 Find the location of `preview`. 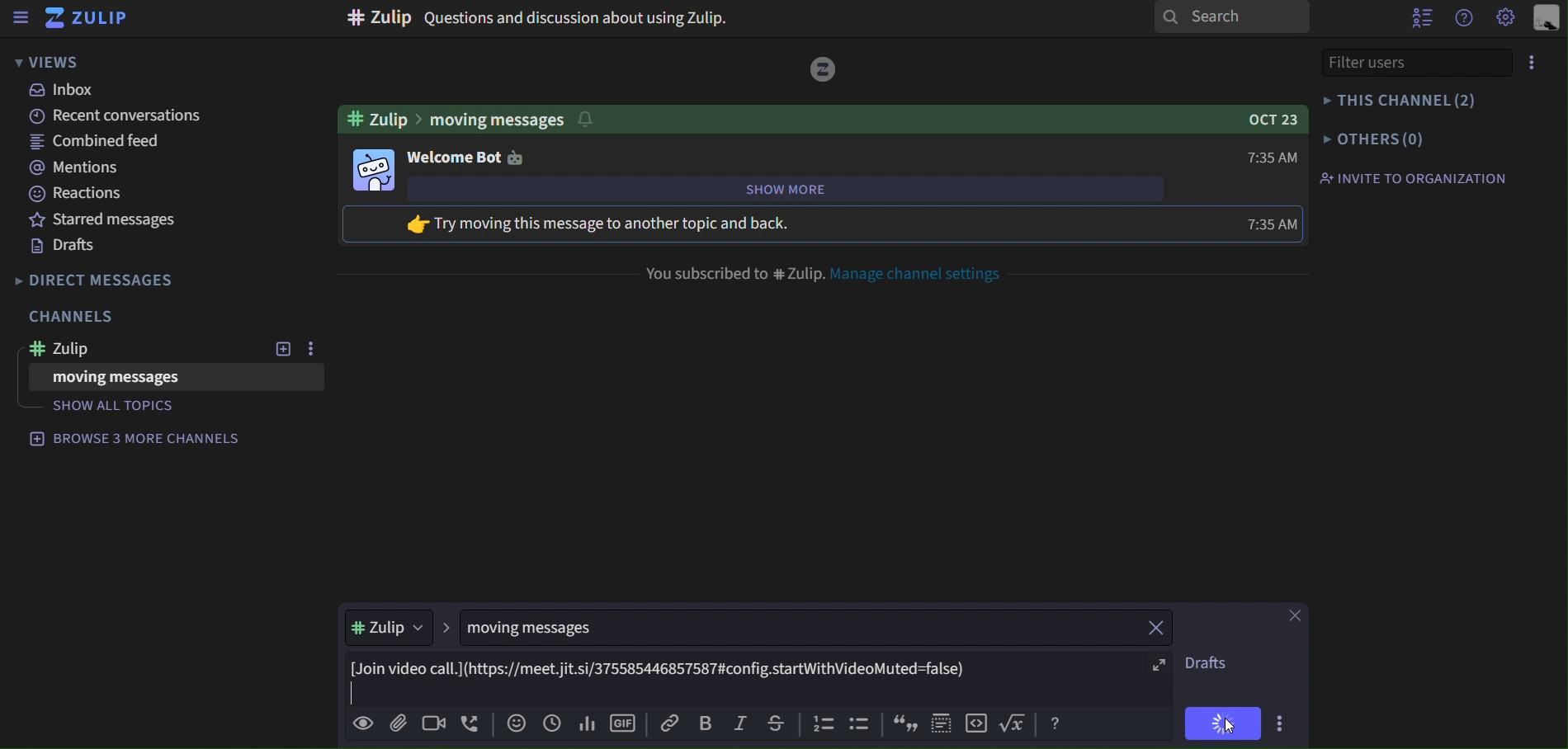

preview is located at coordinates (364, 726).